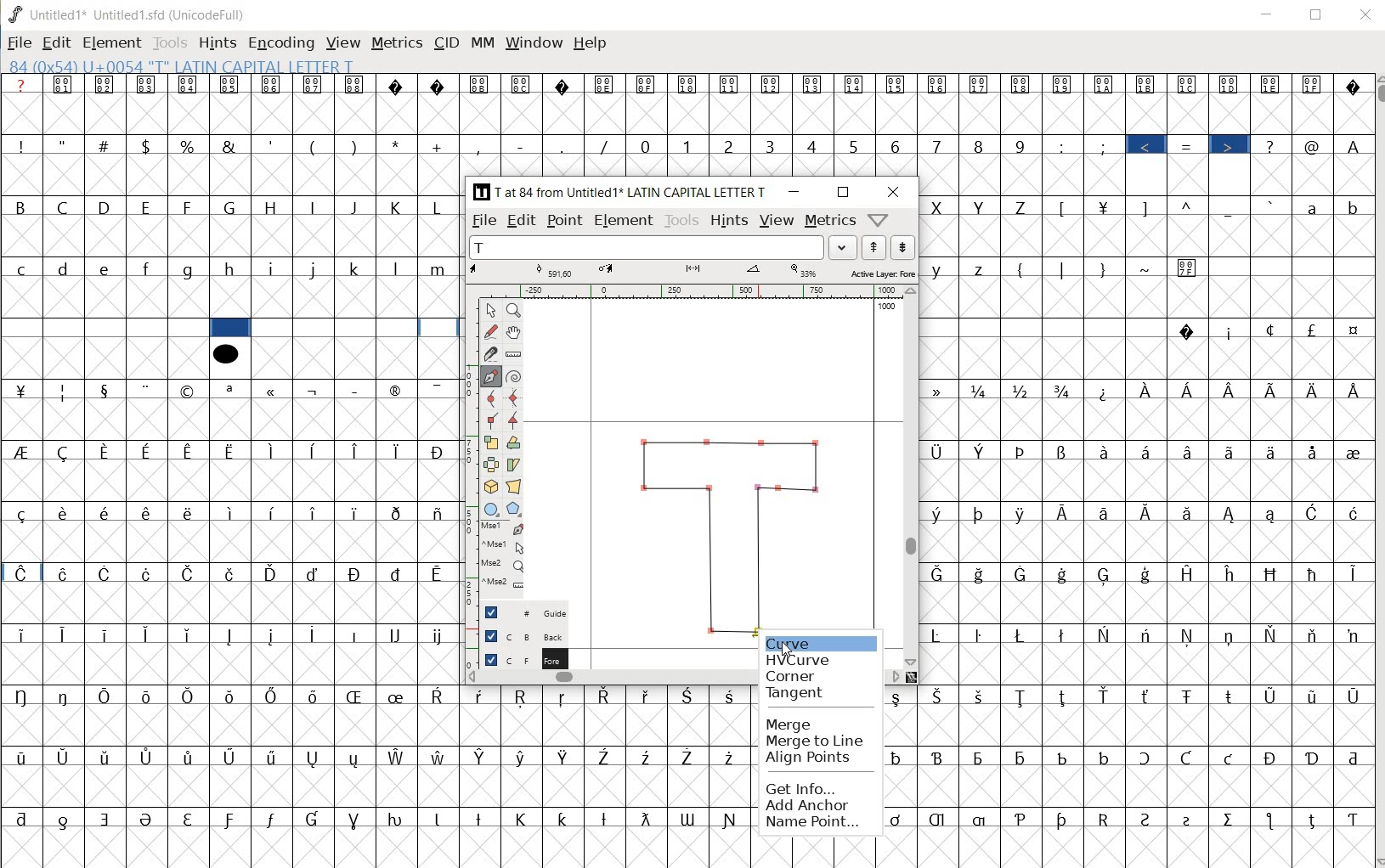  What do you see at coordinates (792, 674) in the screenshot?
I see `corner` at bounding box center [792, 674].